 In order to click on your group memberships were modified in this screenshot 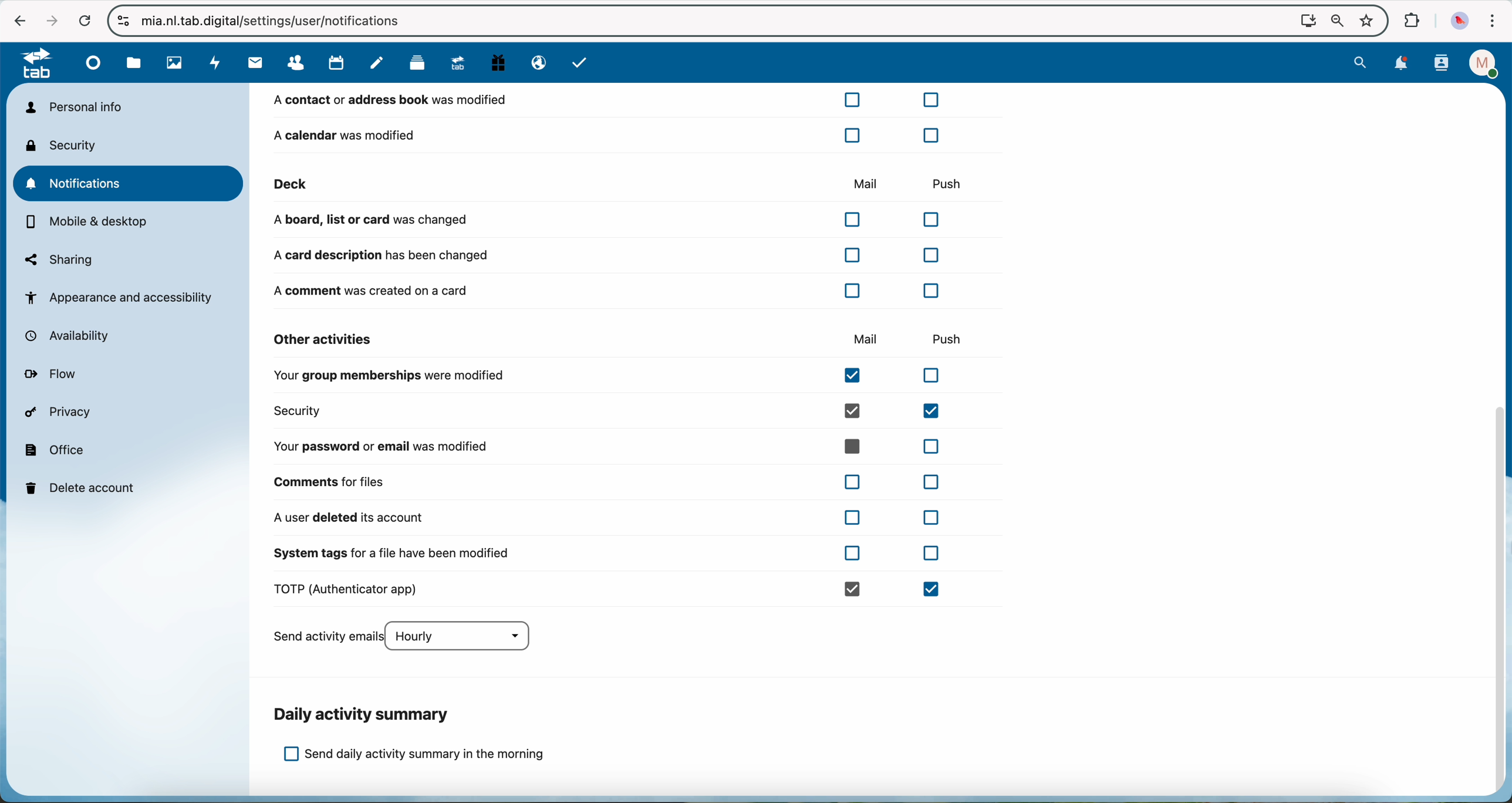, I will do `click(614, 377)`.